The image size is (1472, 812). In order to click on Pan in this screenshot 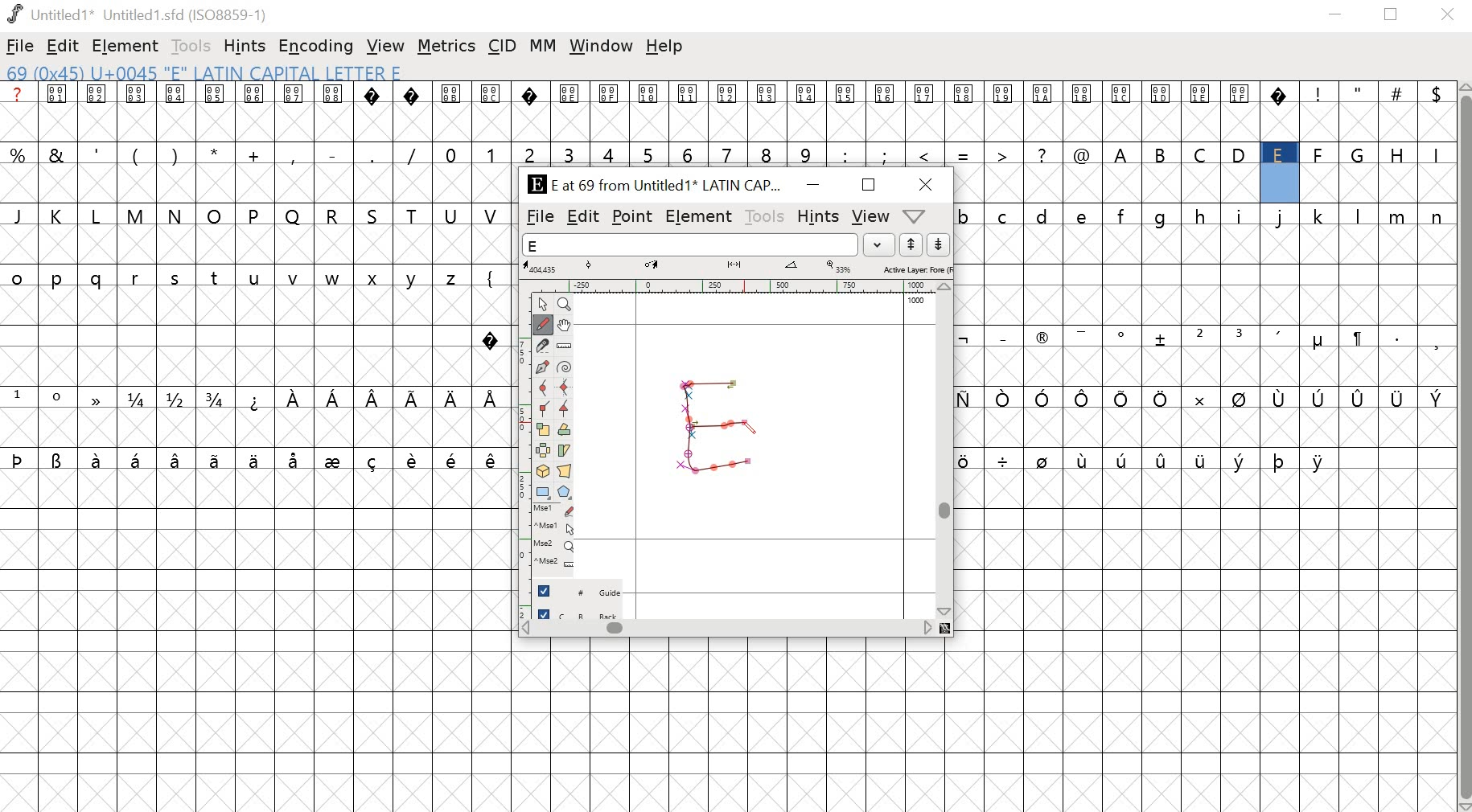, I will do `click(567, 325)`.